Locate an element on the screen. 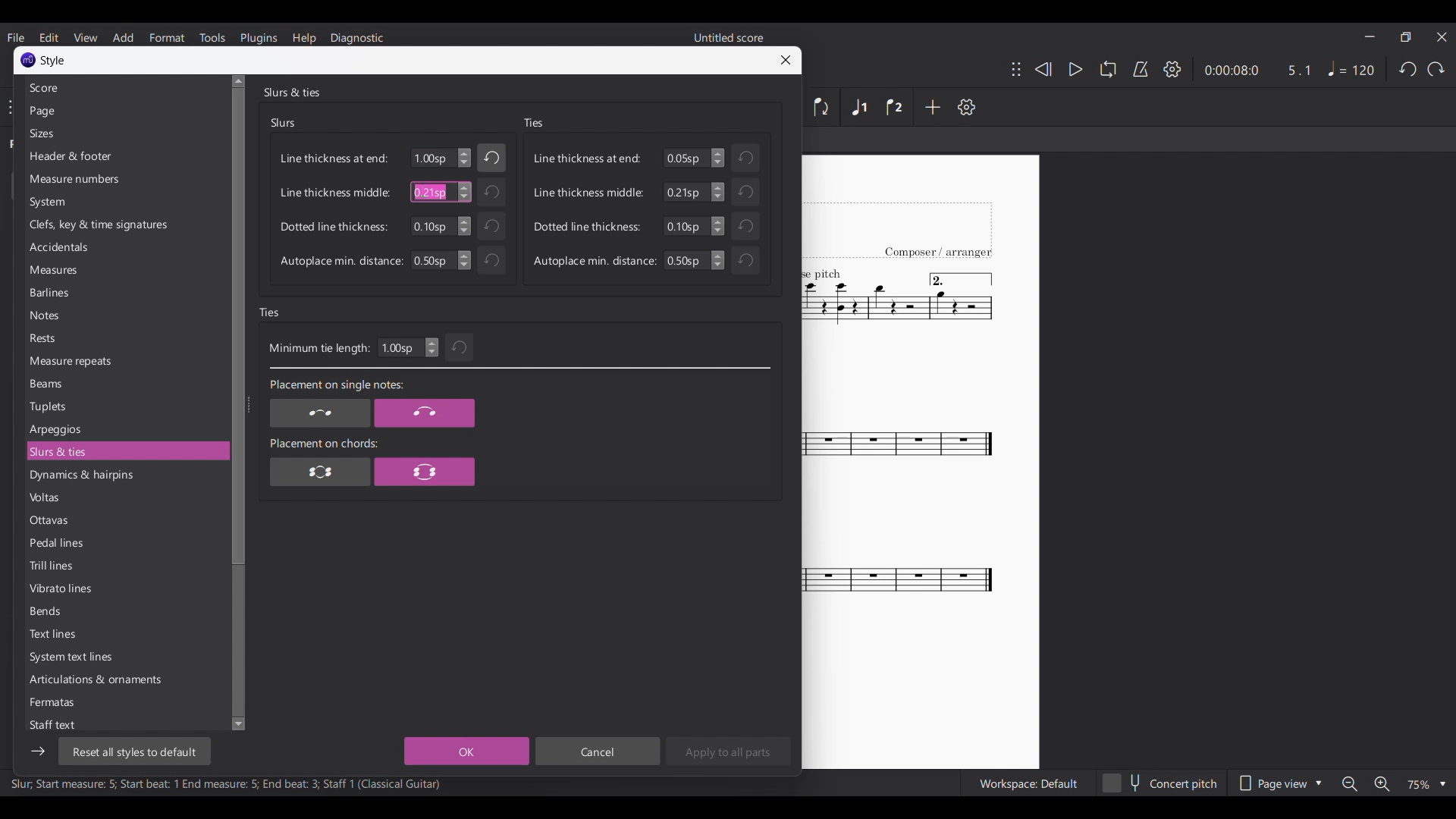 Image resolution: width=1456 pixels, height=819 pixels. Ties is located at coordinates (270, 312).